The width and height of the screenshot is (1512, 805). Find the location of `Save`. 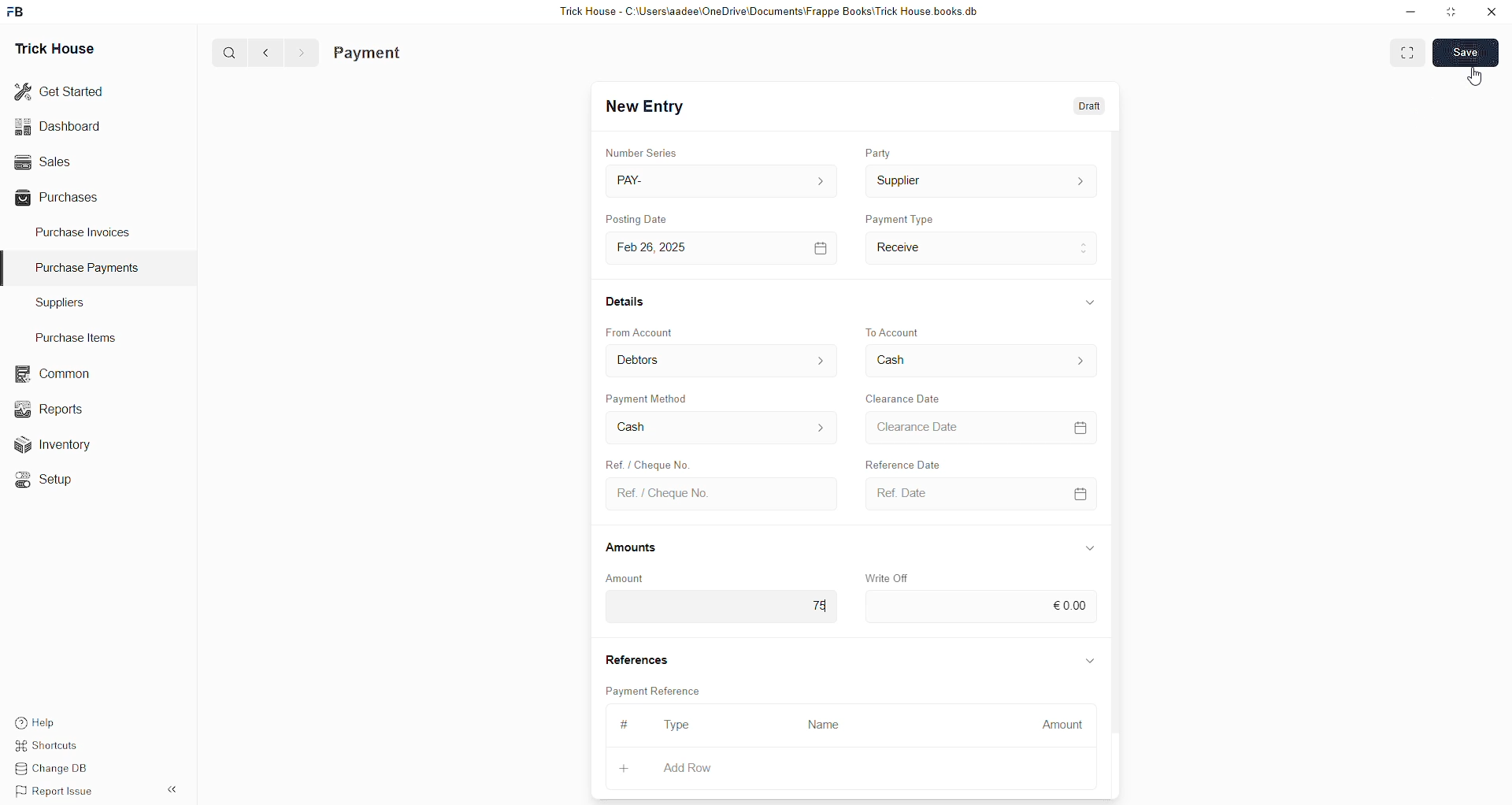

Save is located at coordinates (1464, 54).